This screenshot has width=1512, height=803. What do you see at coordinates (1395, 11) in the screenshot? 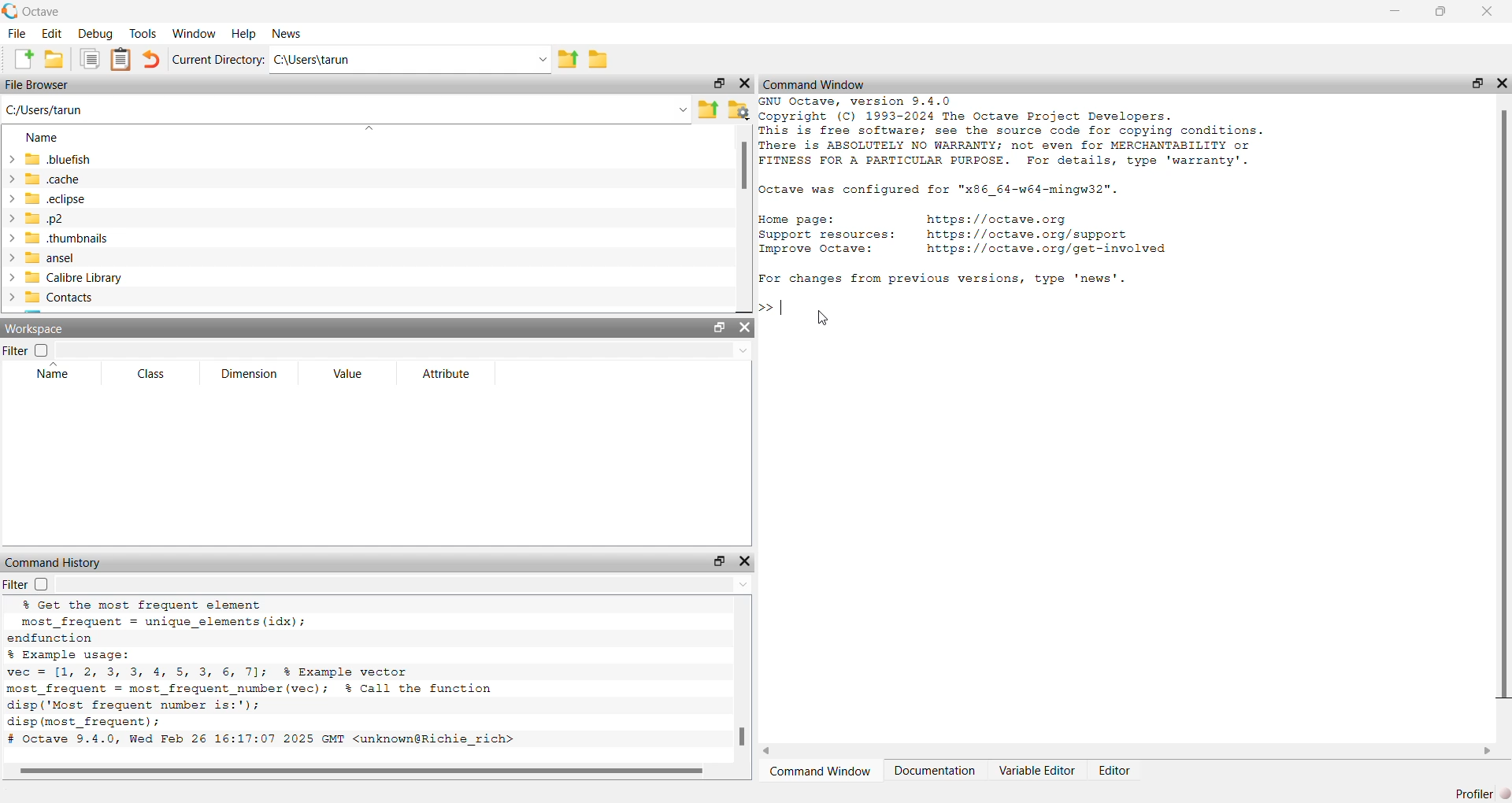
I see `minimize` at bounding box center [1395, 11].